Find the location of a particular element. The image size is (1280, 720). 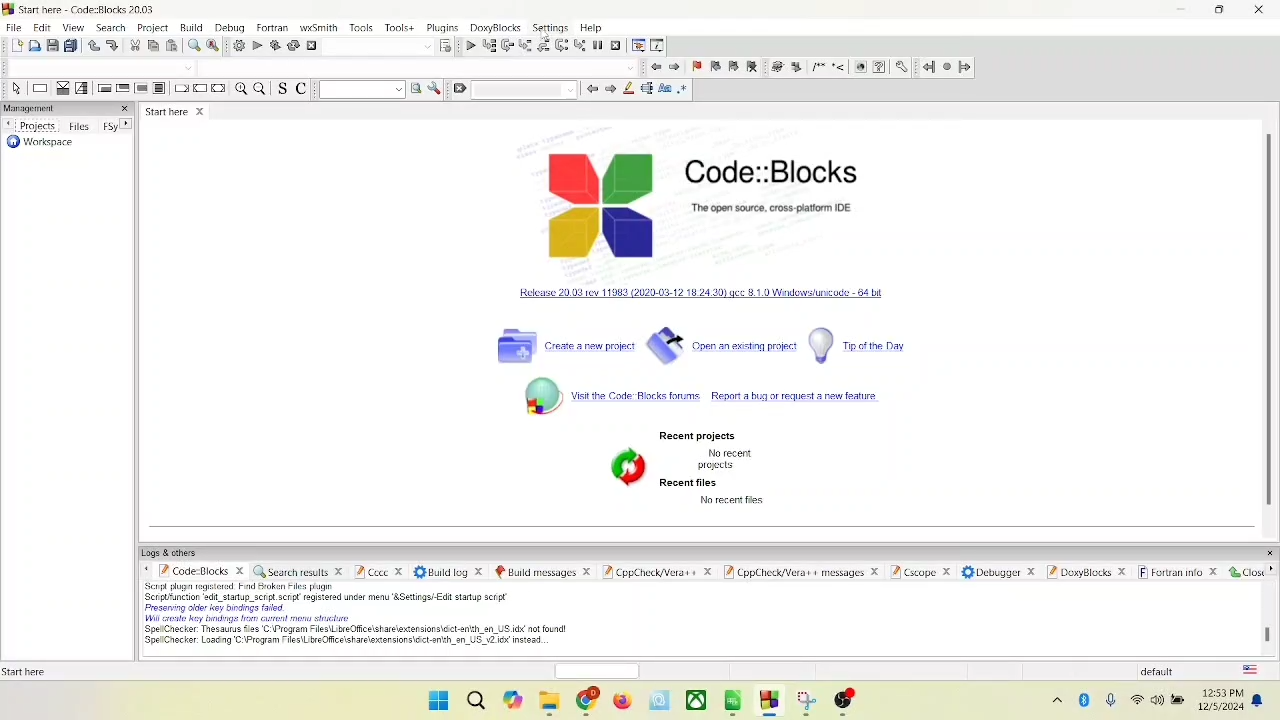

instruction is located at coordinates (37, 89).